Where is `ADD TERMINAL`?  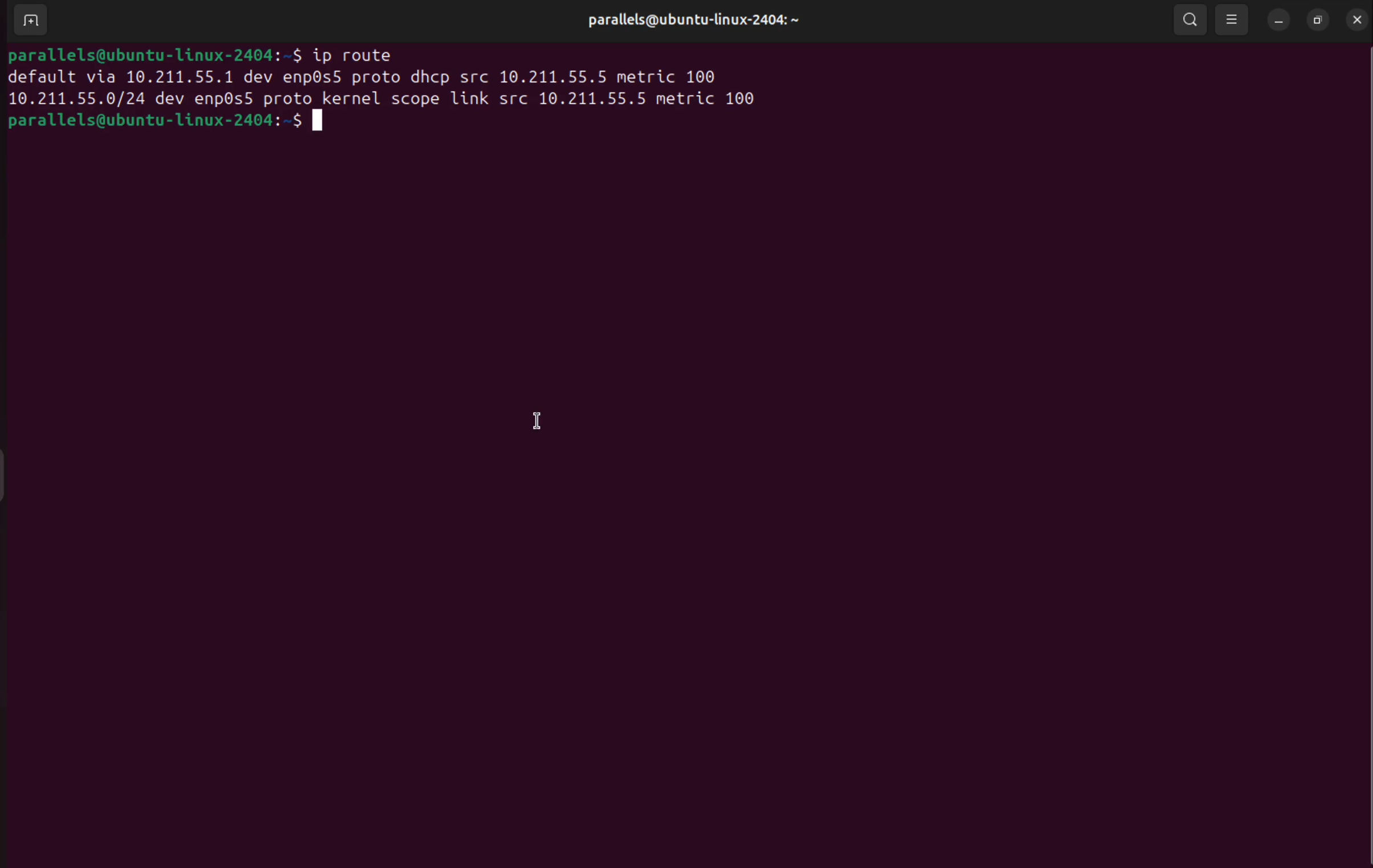 ADD TERMINAL is located at coordinates (25, 22).